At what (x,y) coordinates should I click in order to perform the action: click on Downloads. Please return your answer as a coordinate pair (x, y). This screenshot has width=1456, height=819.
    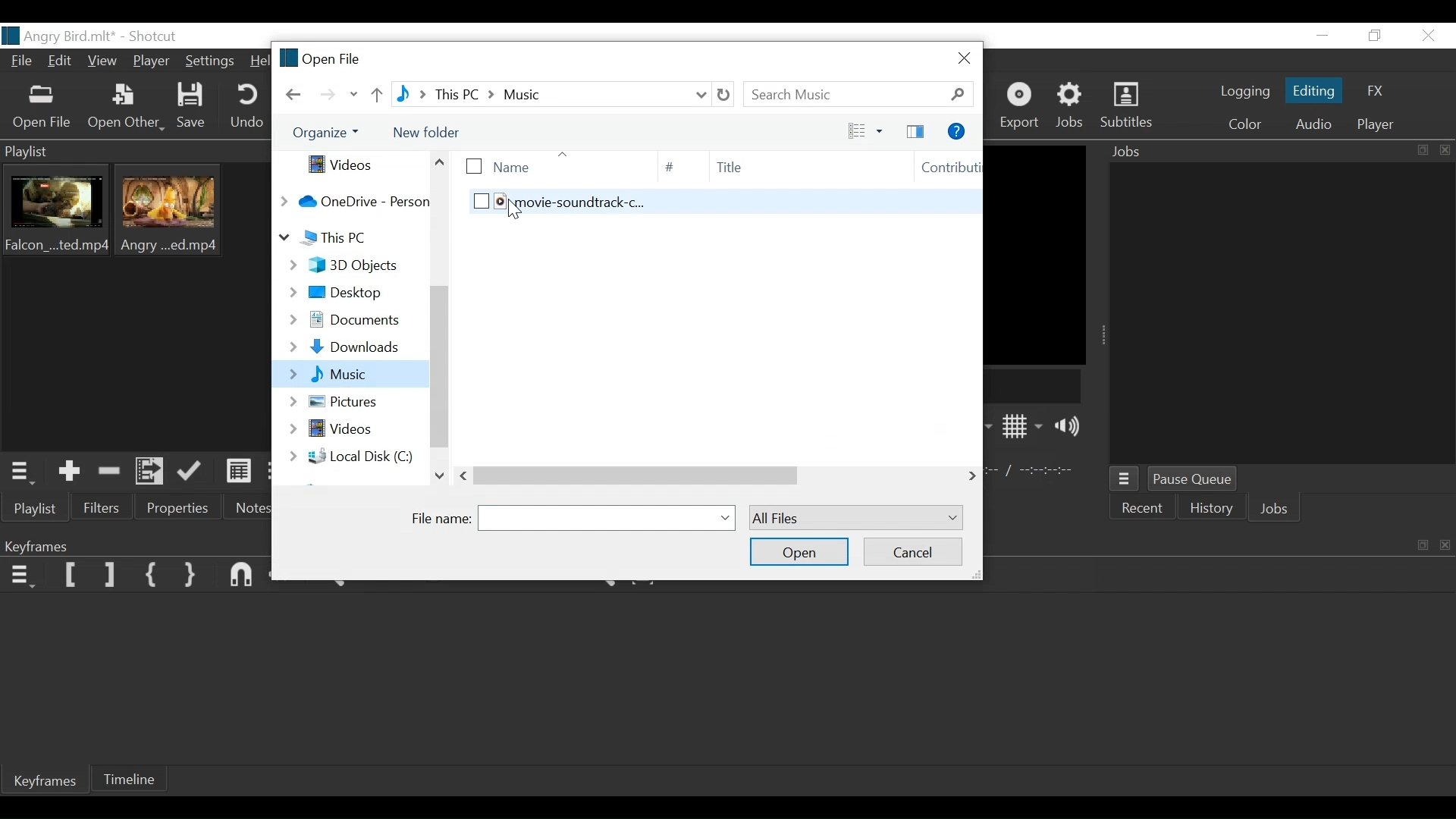
    Looking at the image, I should click on (348, 347).